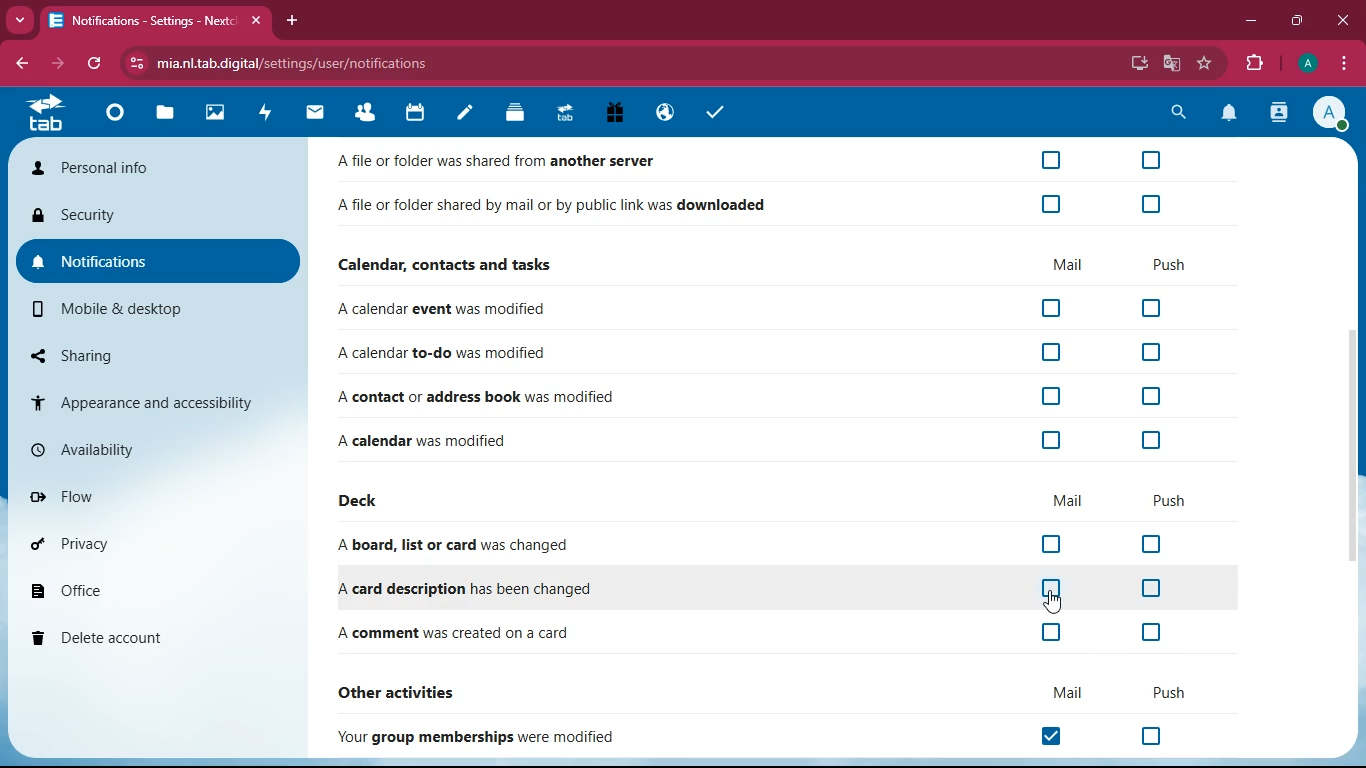 The image size is (1366, 768). Describe the element at coordinates (553, 208) in the screenshot. I see `A file or folder shared by mail or by public link was downloaded` at that location.